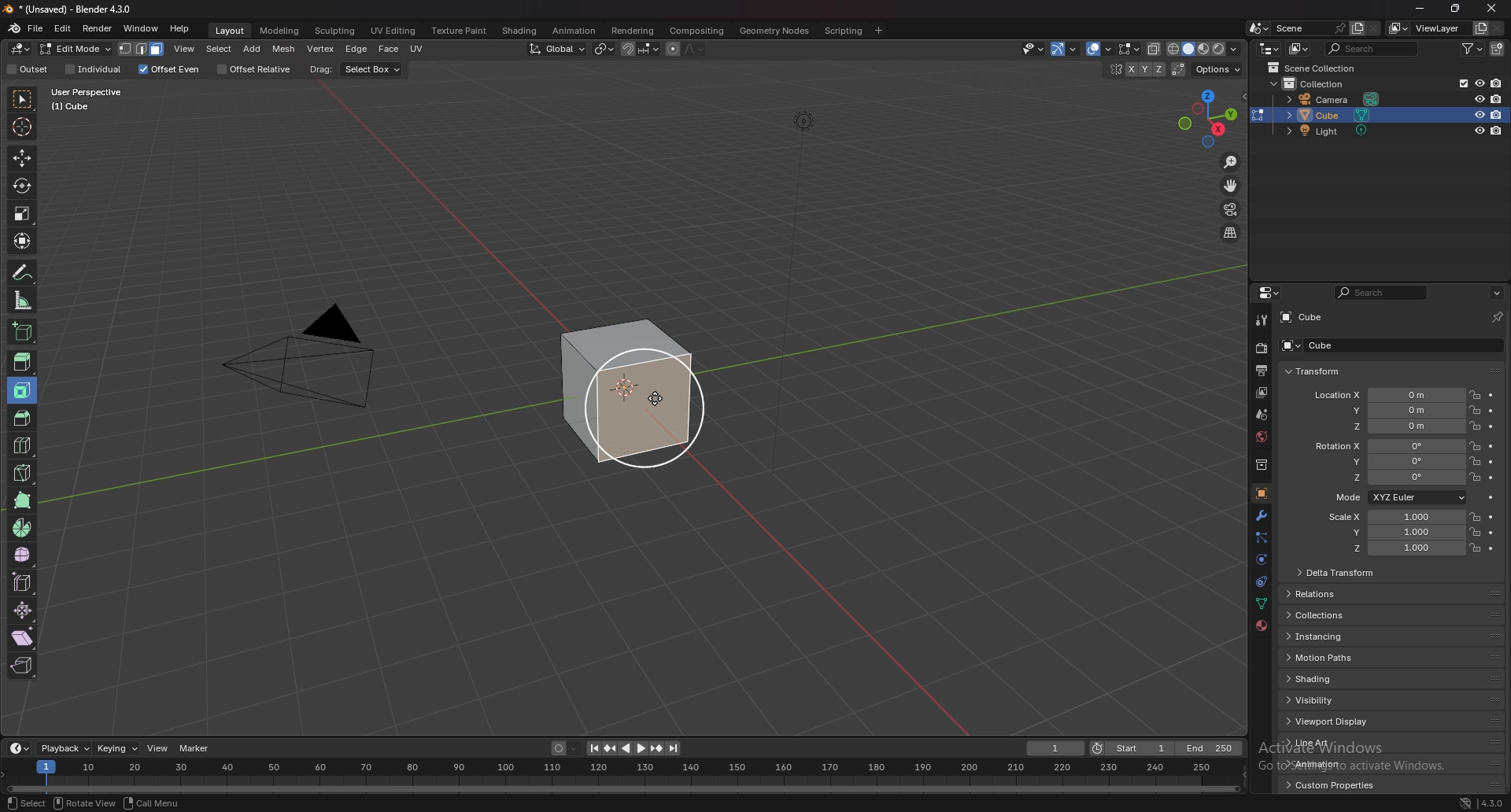 The height and width of the screenshot is (812, 1511). I want to click on visibility, so click(1332, 699).